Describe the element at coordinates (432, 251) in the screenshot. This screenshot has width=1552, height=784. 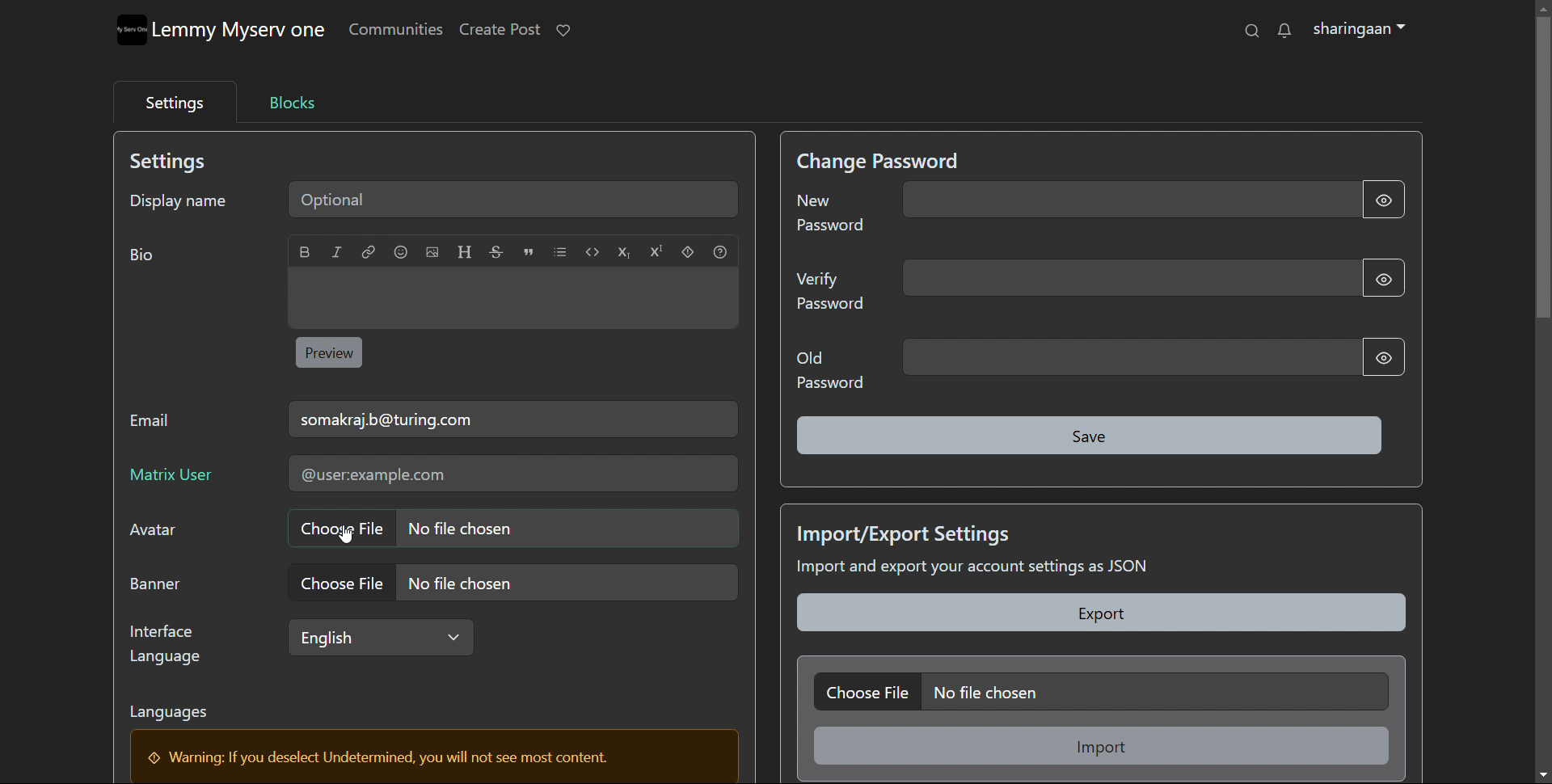
I see `add image` at that location.